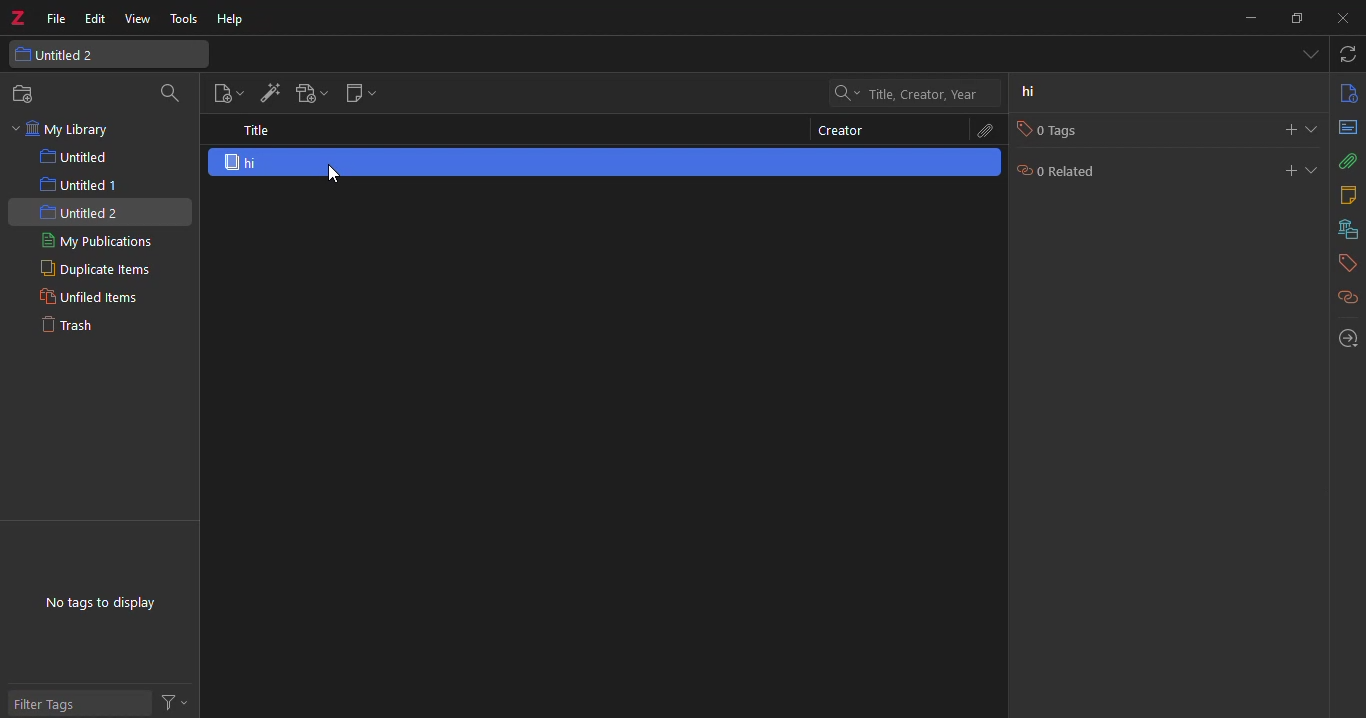  I want to click on add, so click(1287, 169).